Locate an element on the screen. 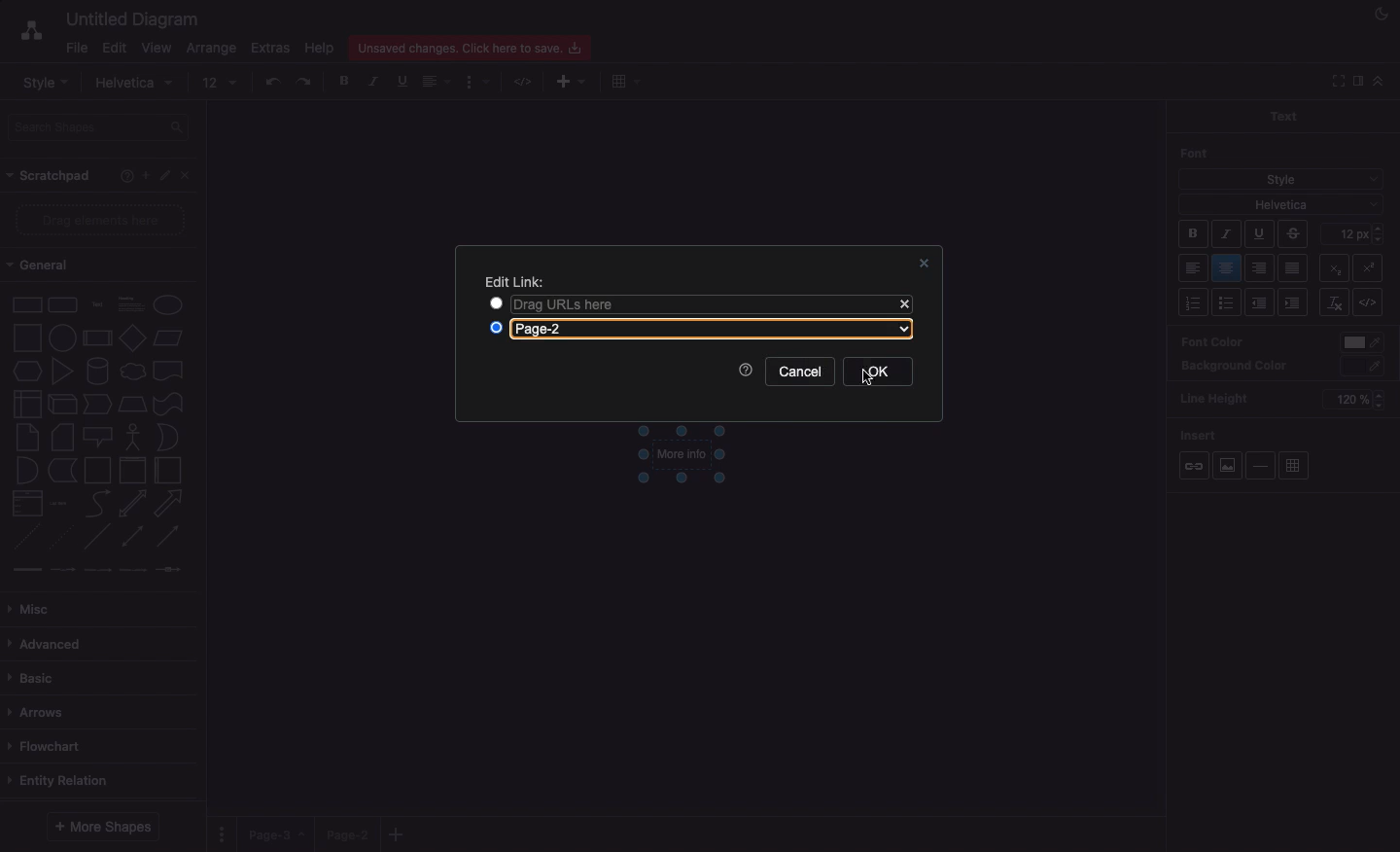 This screenshot has height=852, width=1400. Justified is located at coordinates (1294, 269).